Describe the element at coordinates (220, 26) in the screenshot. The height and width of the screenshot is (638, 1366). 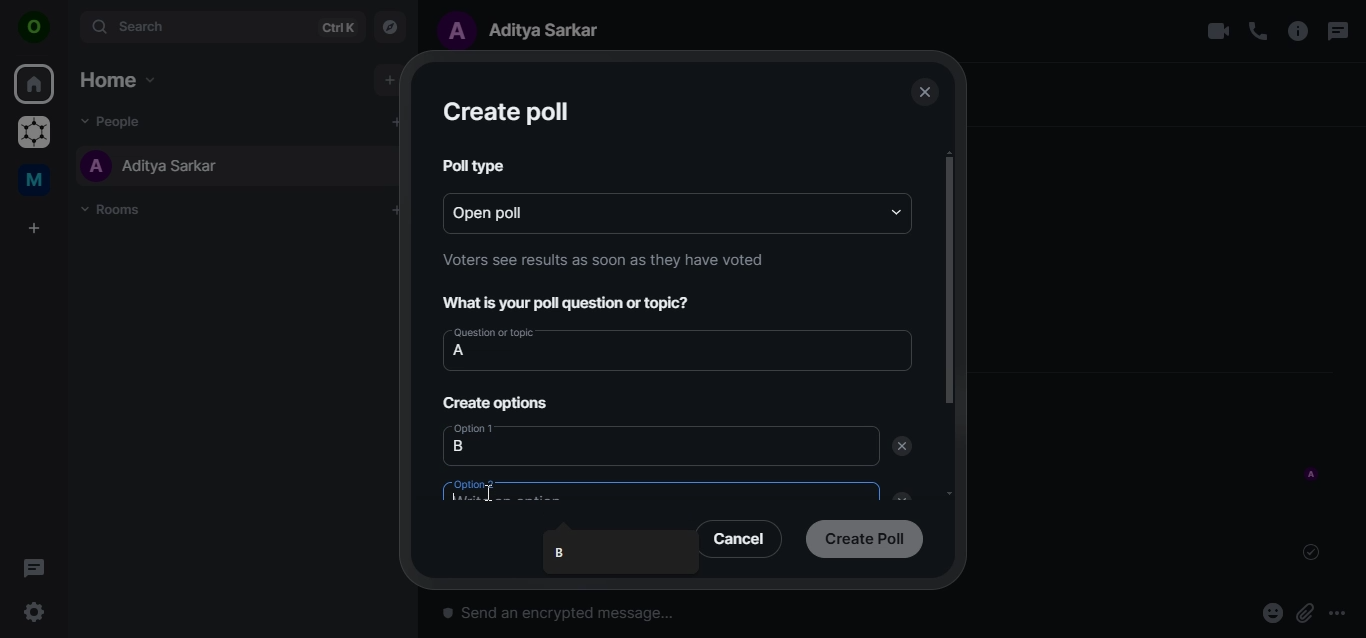
I see `search` at that location.